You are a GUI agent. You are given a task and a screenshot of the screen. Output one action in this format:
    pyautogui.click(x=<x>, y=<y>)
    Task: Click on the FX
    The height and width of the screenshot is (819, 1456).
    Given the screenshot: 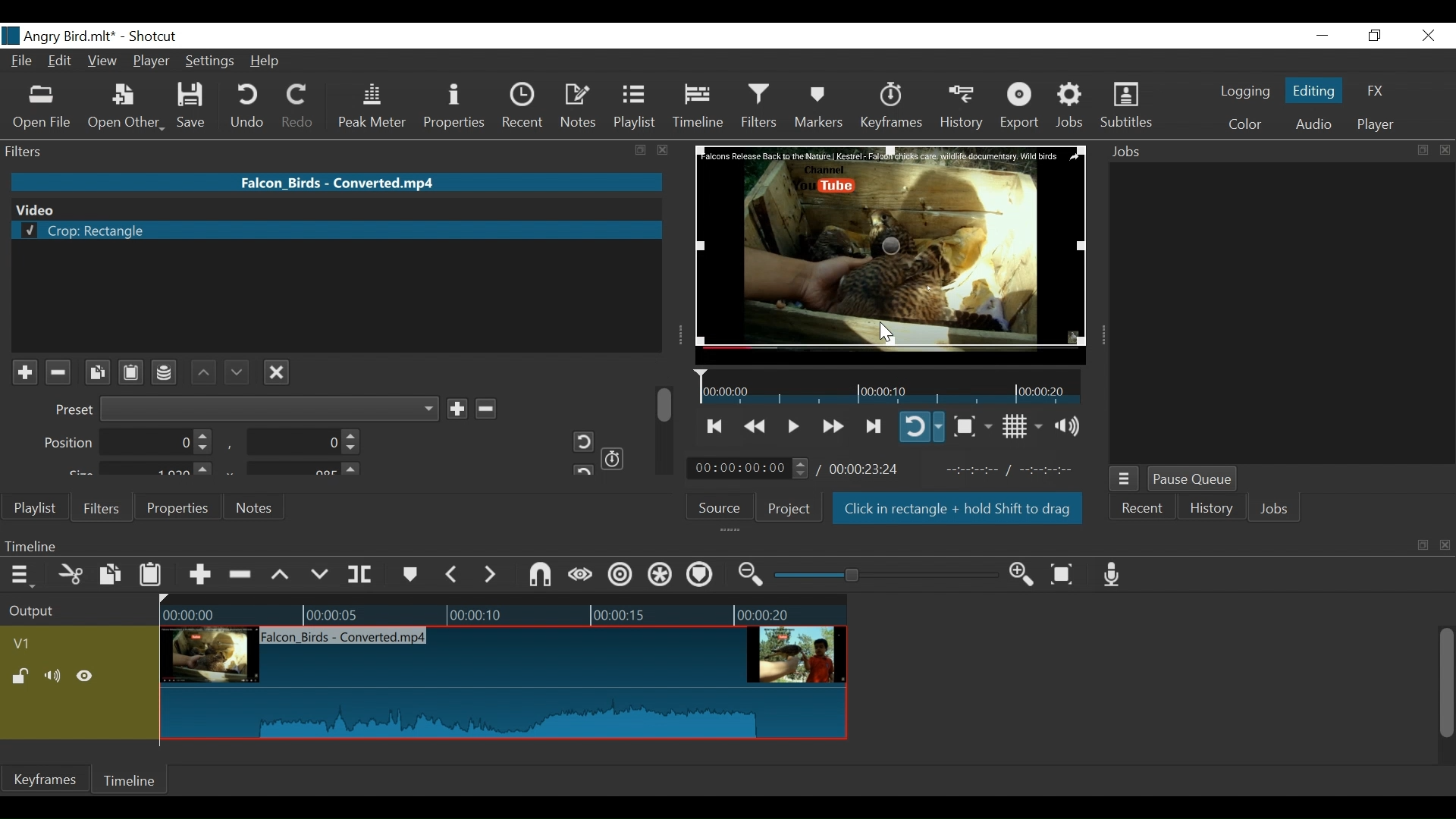 What is the action you would take?
    pyautogui.click(x=1373, y=93)
    